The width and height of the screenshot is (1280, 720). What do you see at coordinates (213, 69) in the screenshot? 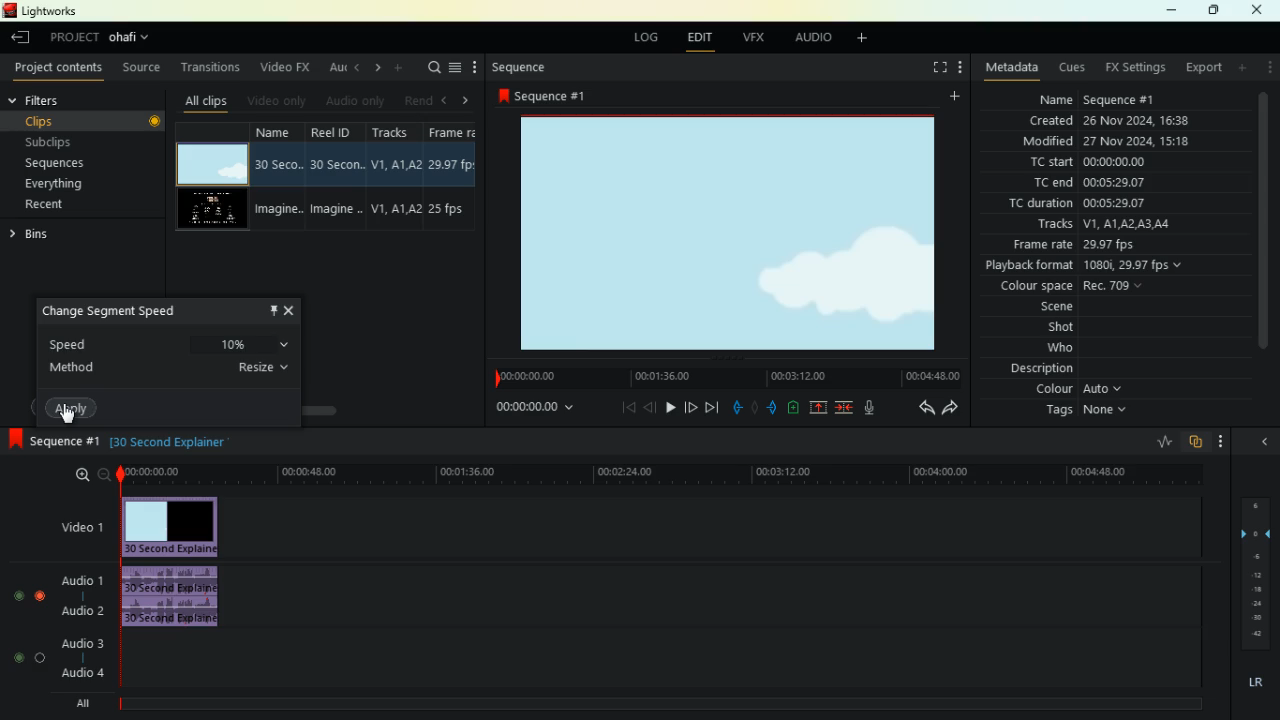
I see `transitions` at bounding box center [213, 69].